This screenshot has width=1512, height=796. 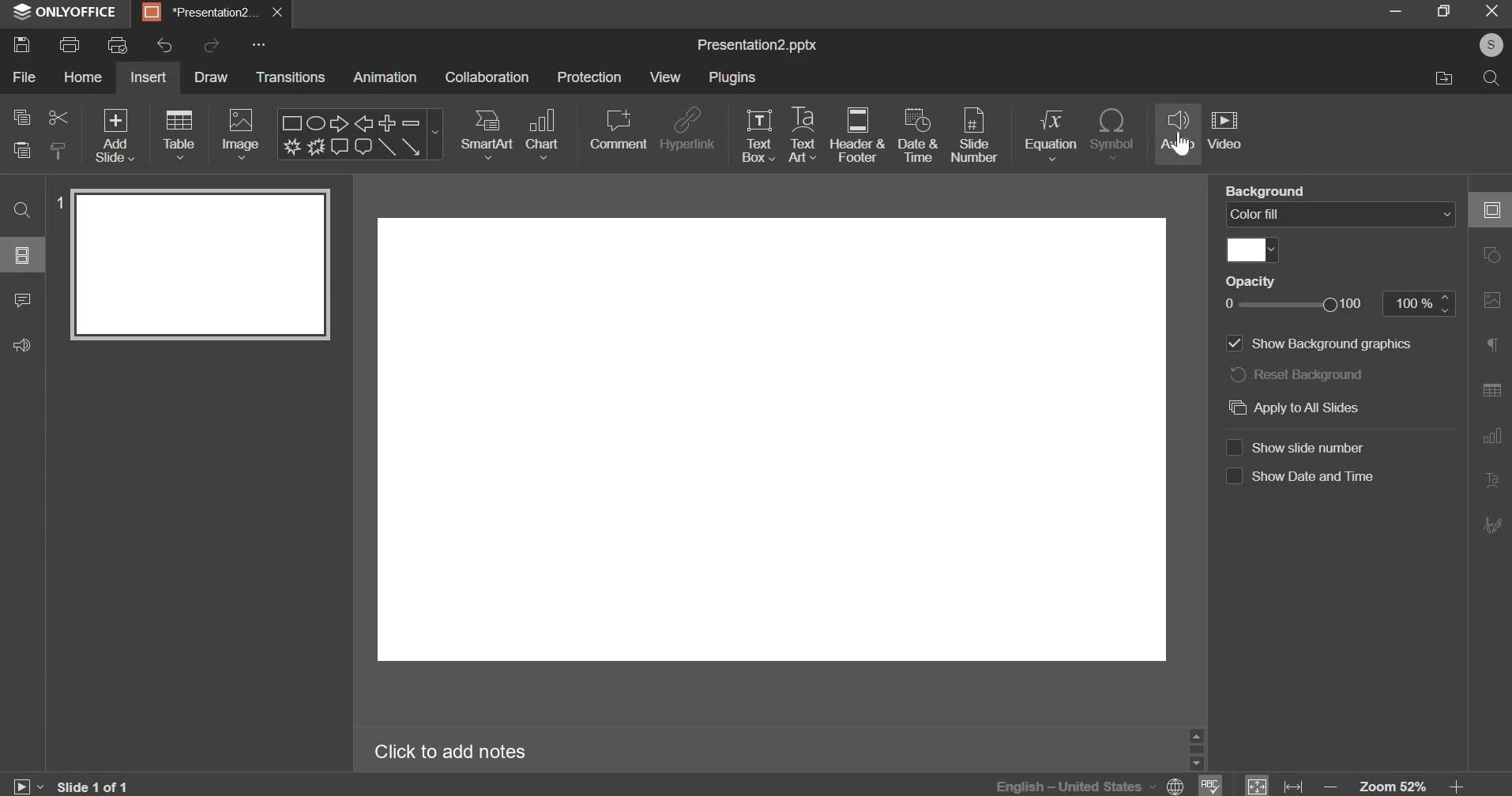 What do you see at coordinates (1254, 250) in the screenshot?
I see `fill color` at bounding box center [1254, 250].